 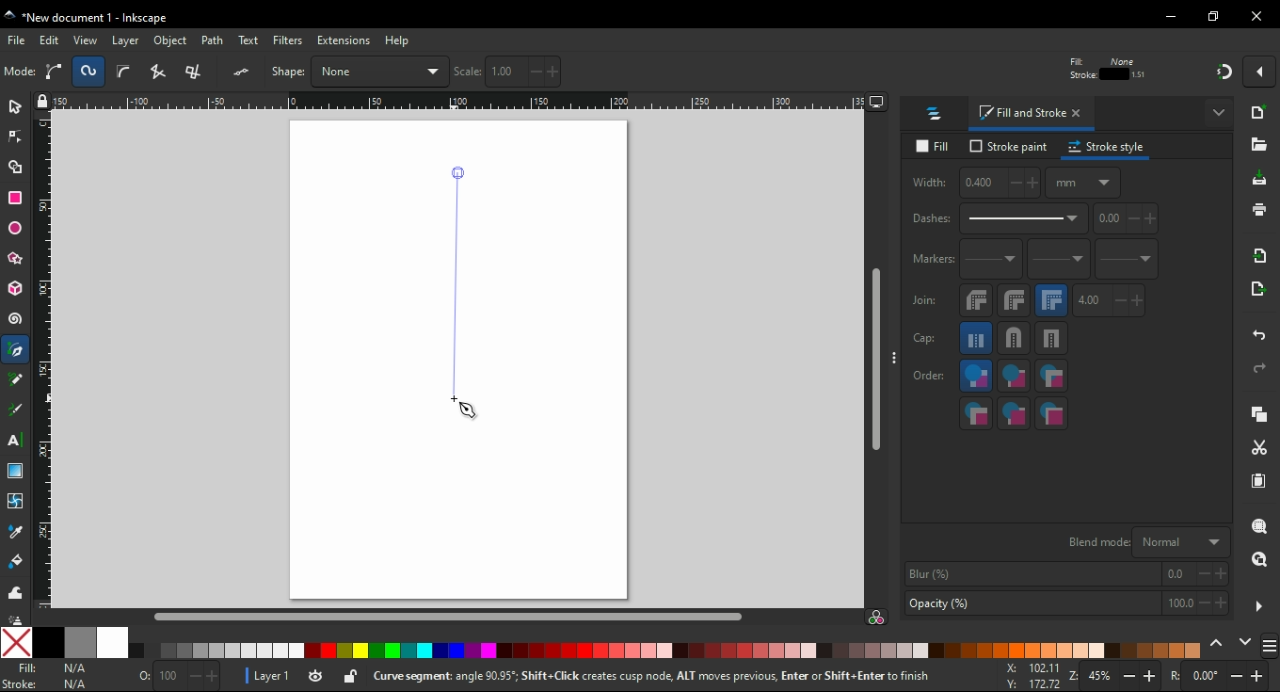 What do you see at coordinates (1176, 70) in the screenshot?
I see `move pattern along wit the objects` at bounding box center [1176, 70].